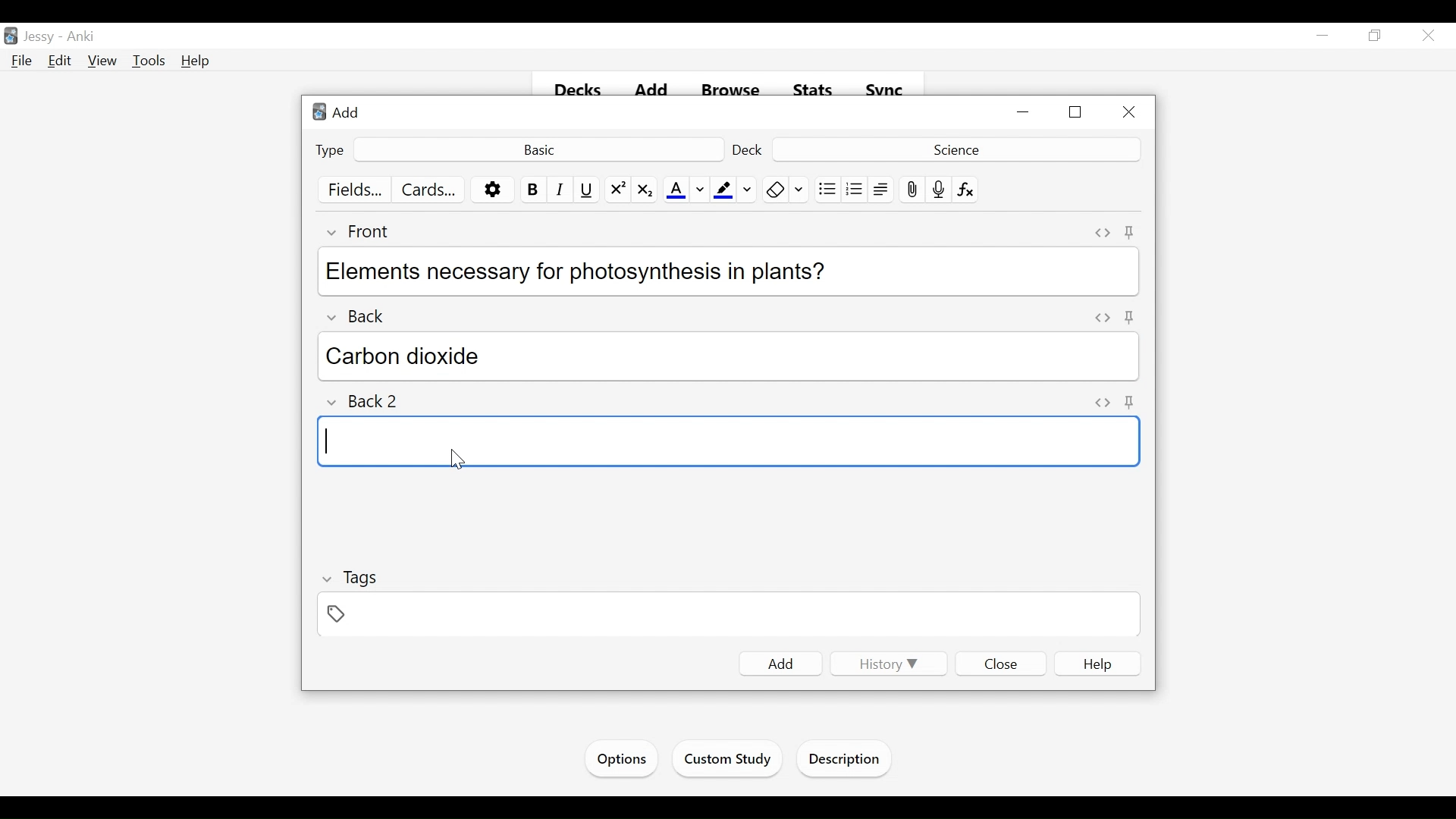 This screenshot has width=1456, height=819. Describe the element at coordinates (1323, 36) in the screenshot. I see `minimize` at that location.